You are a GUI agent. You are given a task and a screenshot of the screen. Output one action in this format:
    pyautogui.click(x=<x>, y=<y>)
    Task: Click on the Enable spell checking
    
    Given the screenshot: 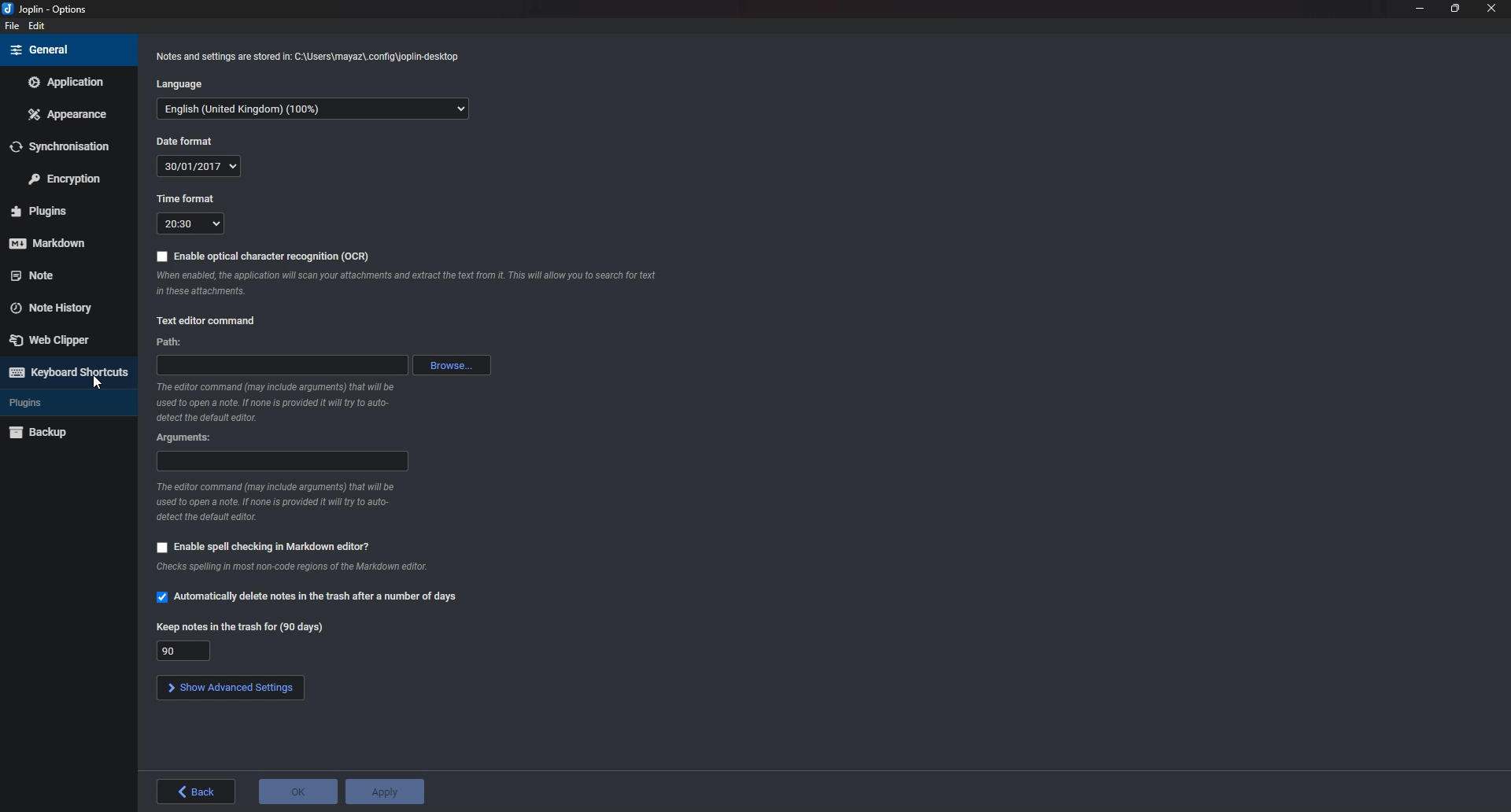 What is the action you would take?
    pyautogui.click(x=263, y=548)
    